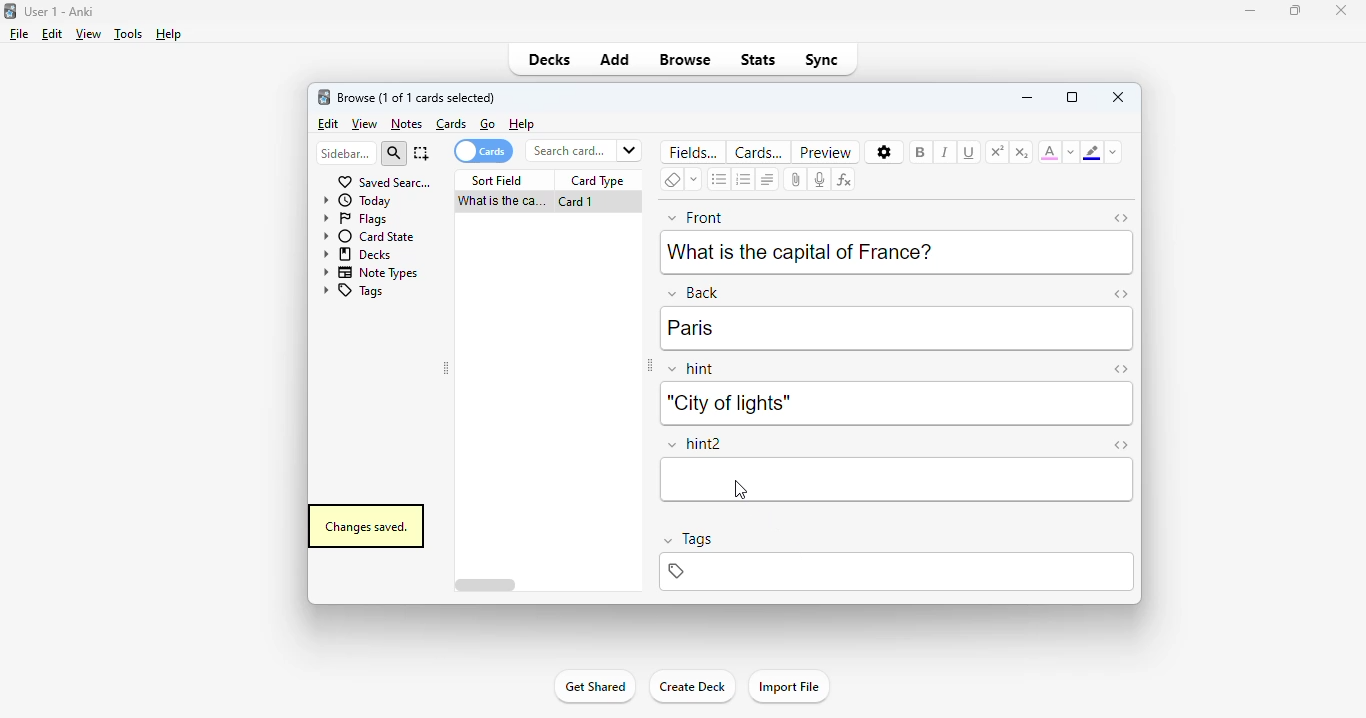  I want to click on select, so click(422, 153).